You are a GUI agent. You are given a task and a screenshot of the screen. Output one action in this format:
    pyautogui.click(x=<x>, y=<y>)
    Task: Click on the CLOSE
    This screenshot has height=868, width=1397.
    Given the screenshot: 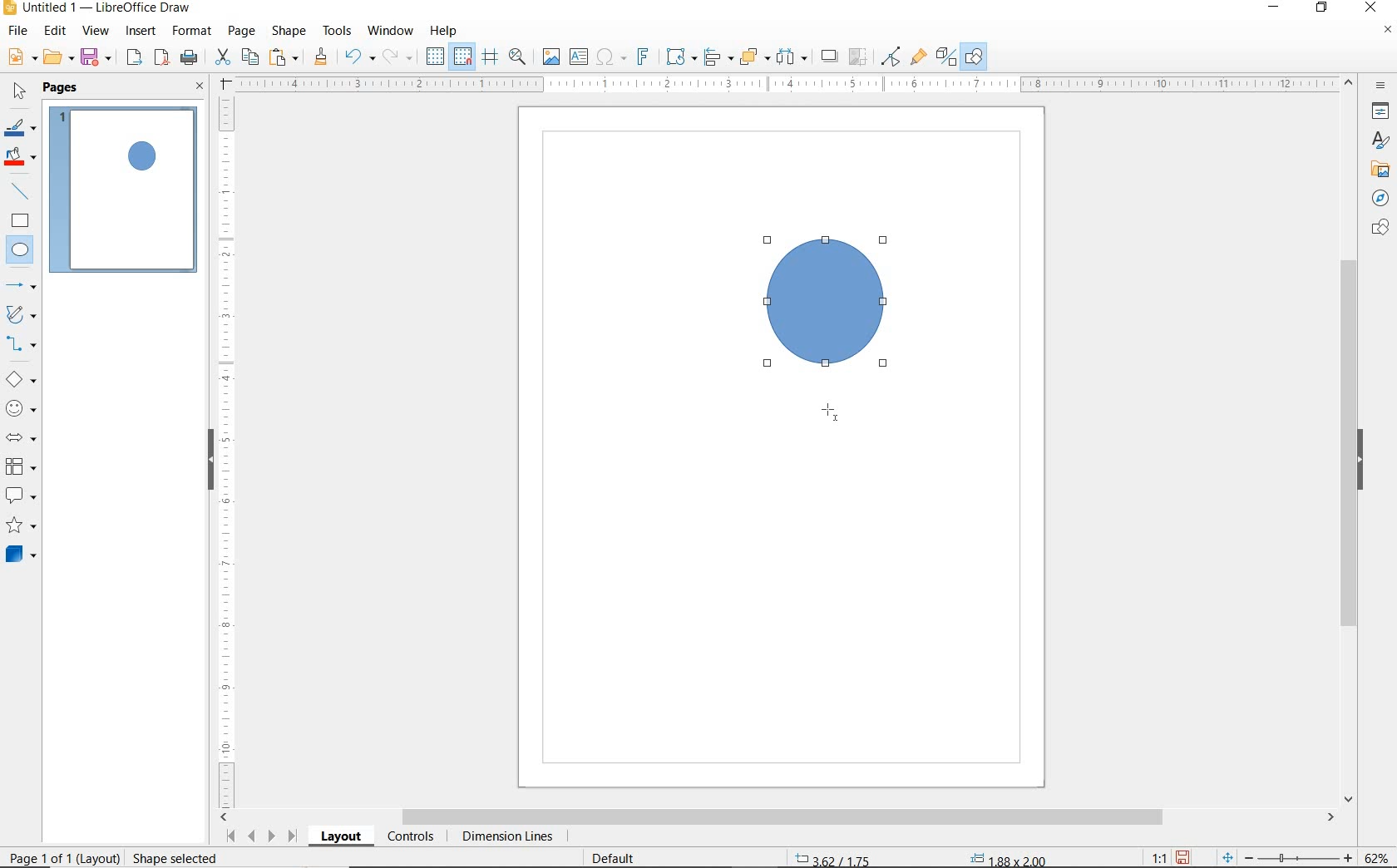 What is the action you would take?
    pyautogui.click(x=200, y=87)
    